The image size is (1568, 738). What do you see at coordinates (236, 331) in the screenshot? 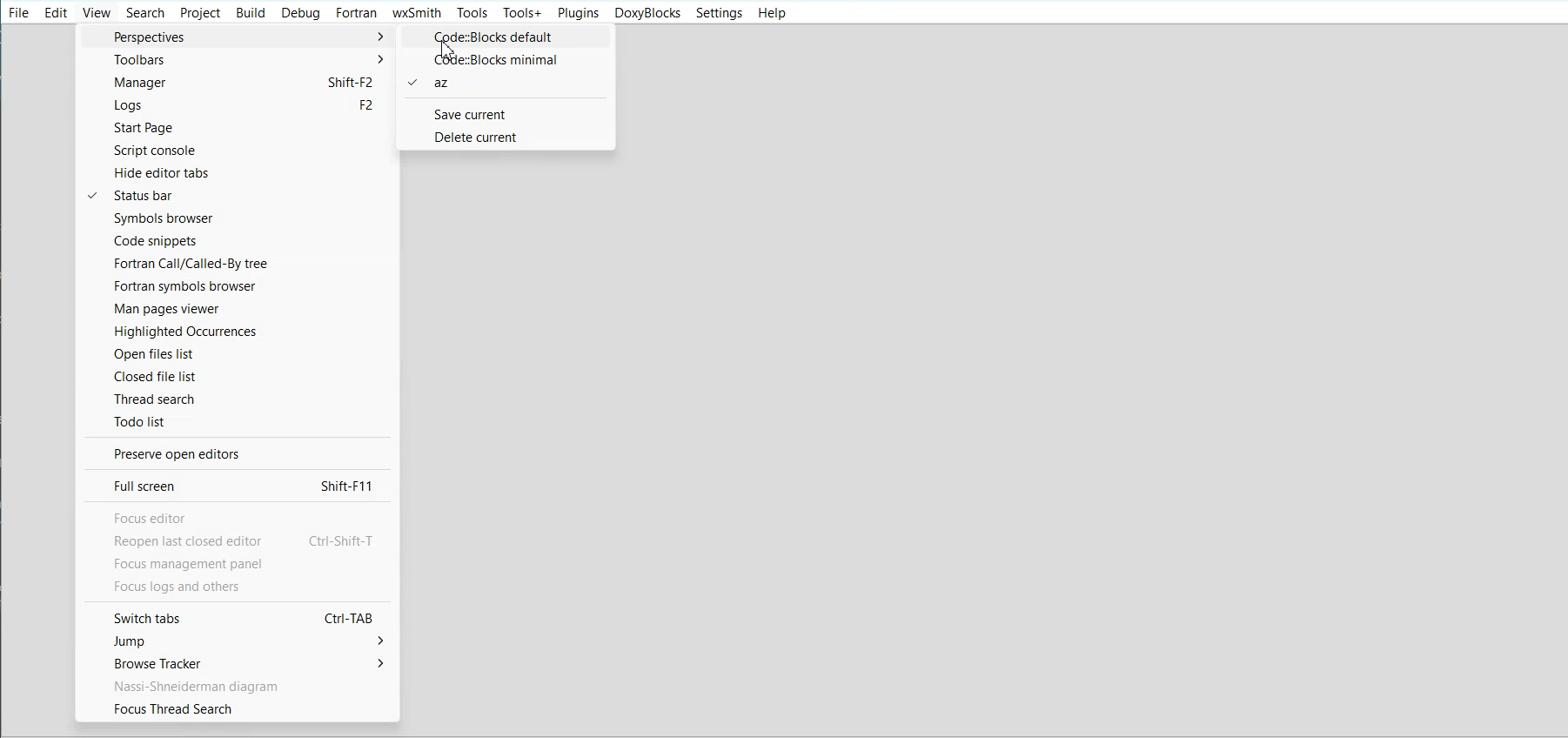
I see `Highlighted Occurence` at bounding box center [236, 331].